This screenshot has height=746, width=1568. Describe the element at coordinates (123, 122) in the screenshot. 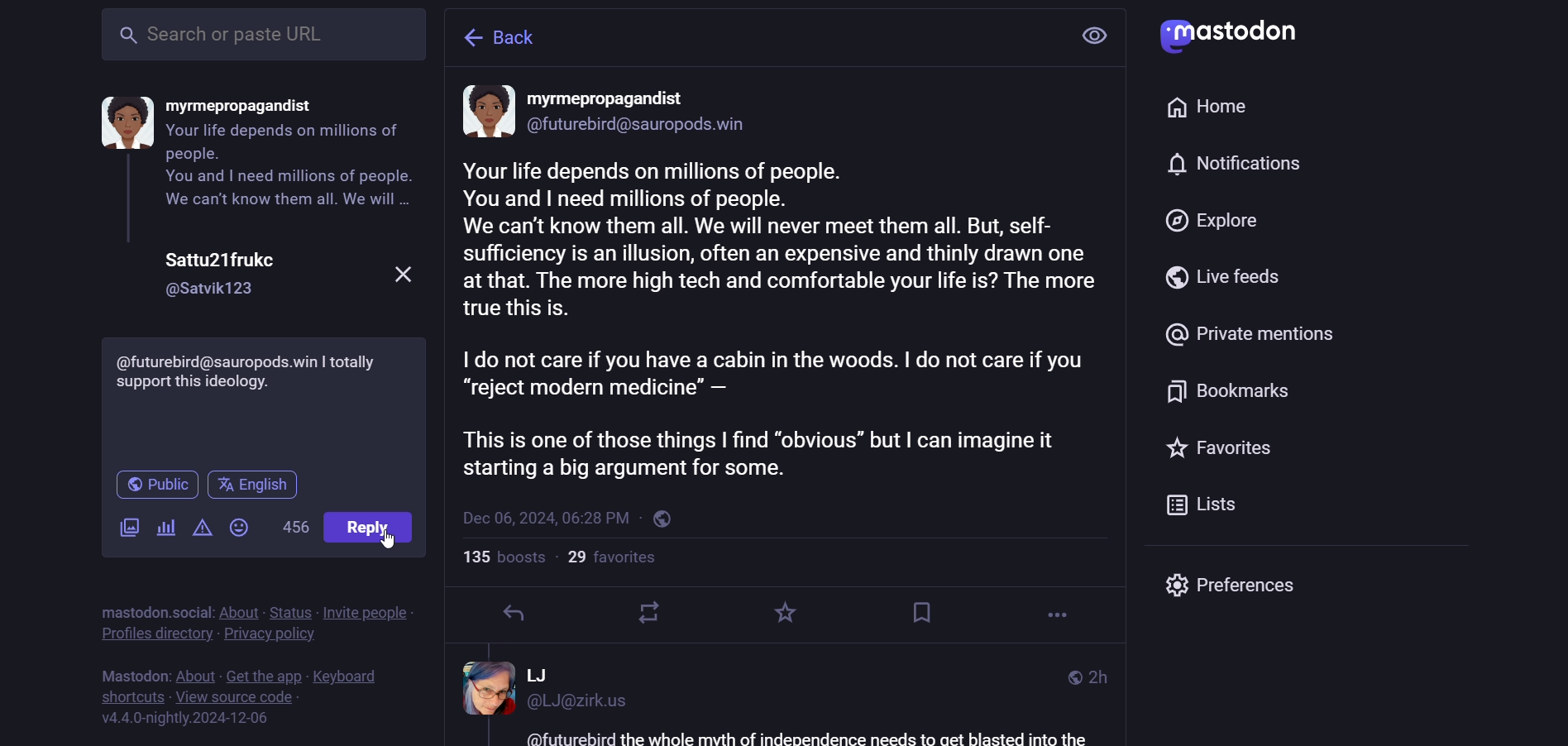

I see `display picture` at that location.